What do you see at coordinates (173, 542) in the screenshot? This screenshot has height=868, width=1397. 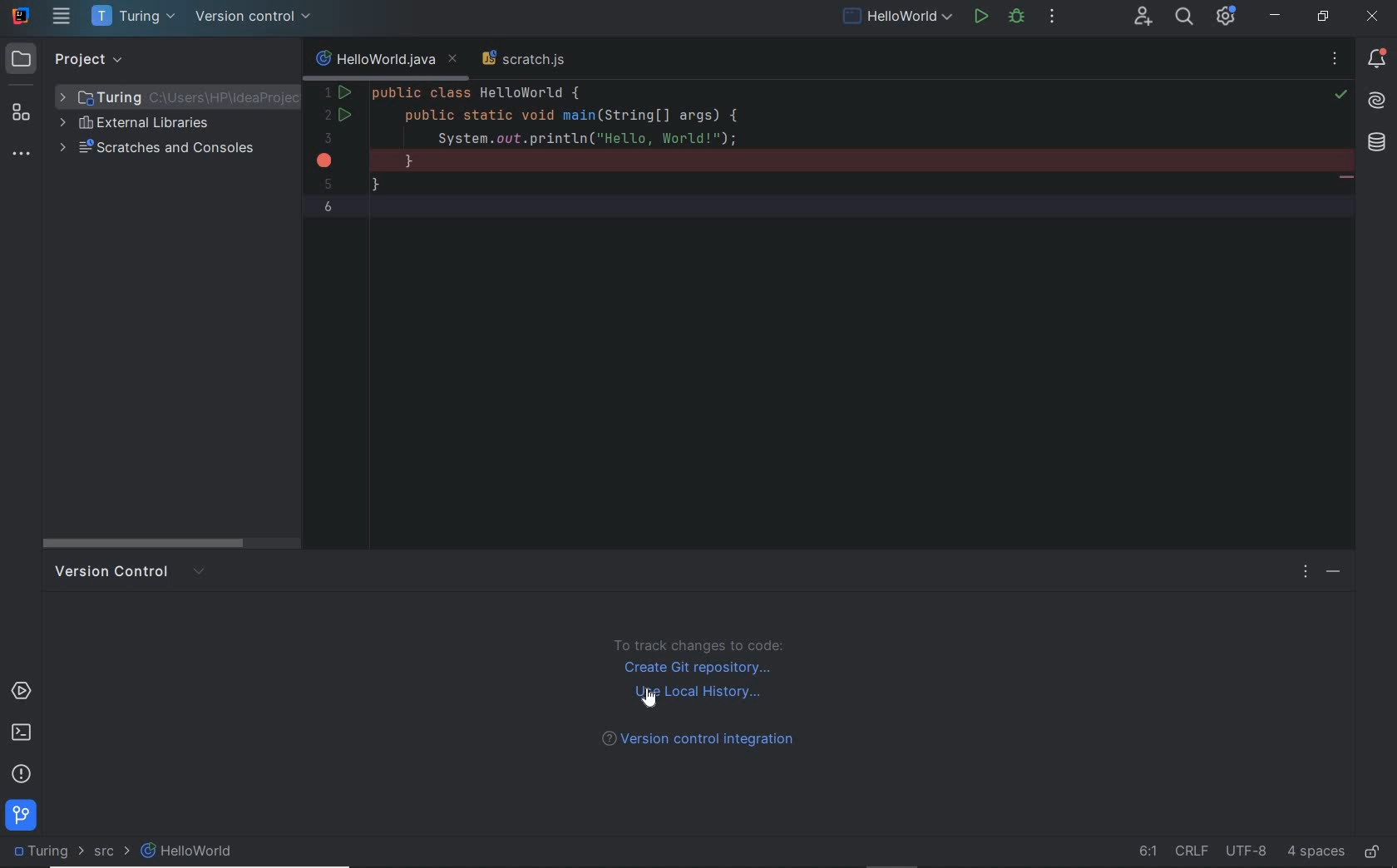 I see `scroll bar` at bounding box center [173, 542].